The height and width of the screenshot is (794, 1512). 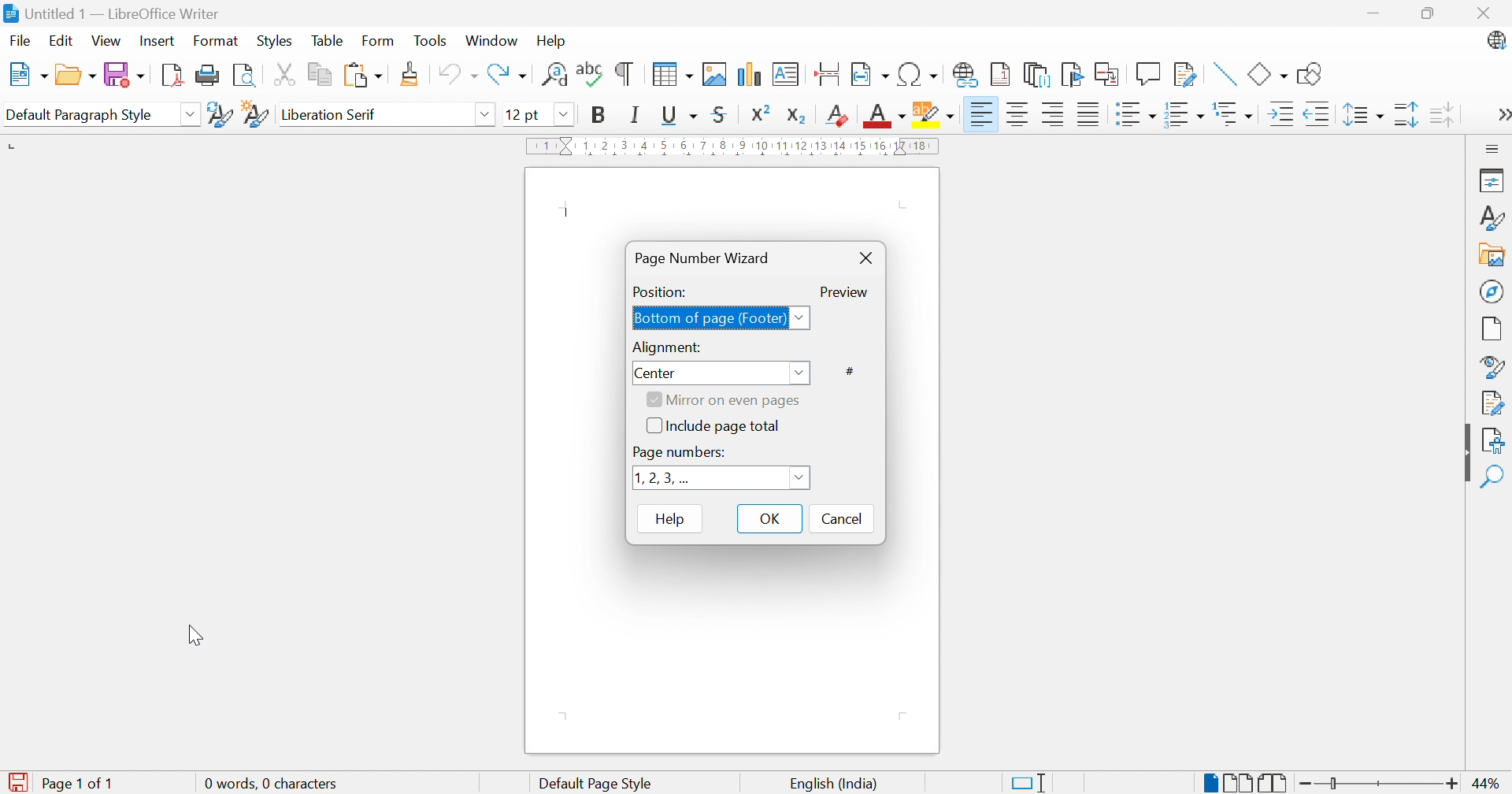 I want to click on OK, so click(x=769, y=518).